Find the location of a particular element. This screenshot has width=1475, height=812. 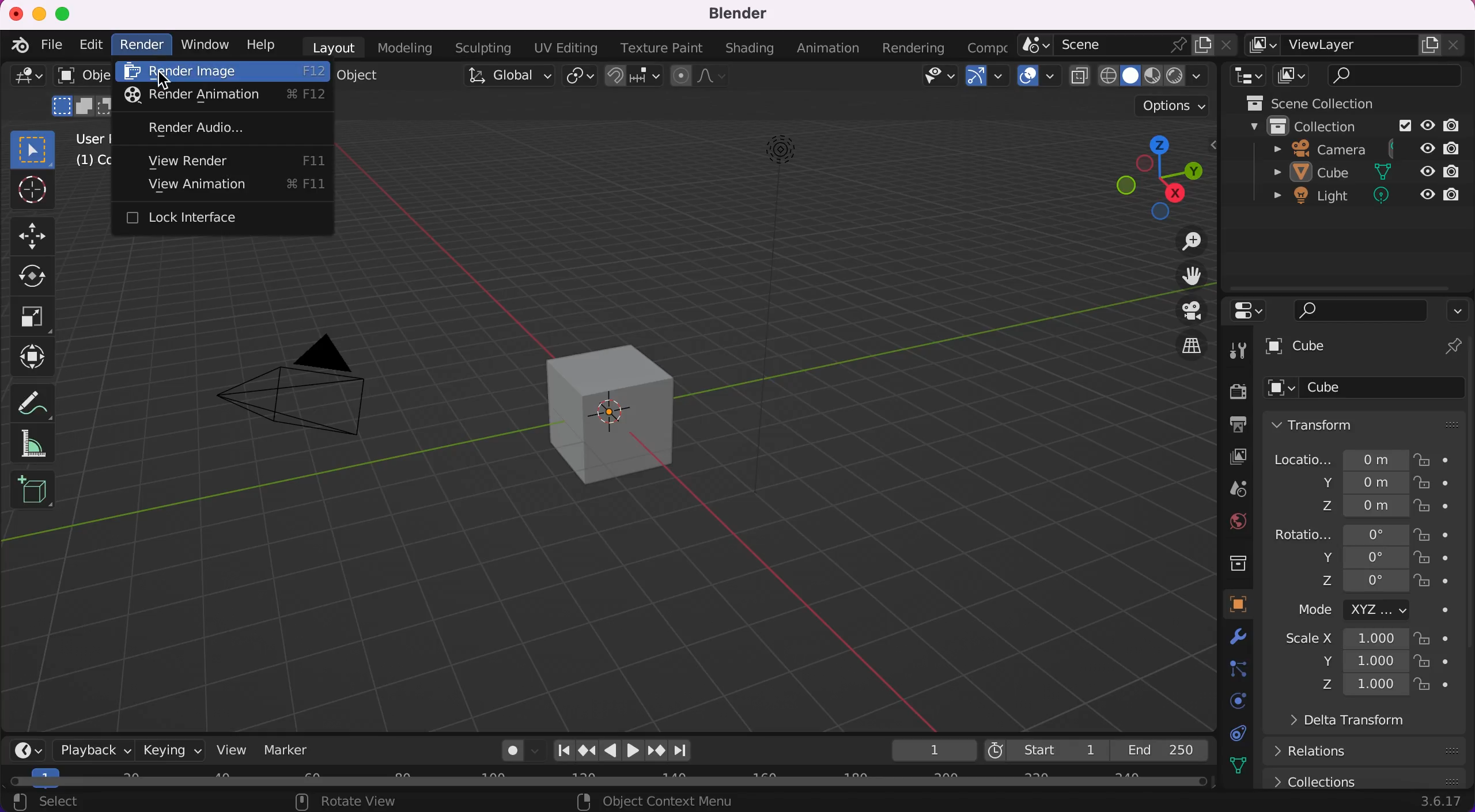

minimize is located at coordinates (40, 13).